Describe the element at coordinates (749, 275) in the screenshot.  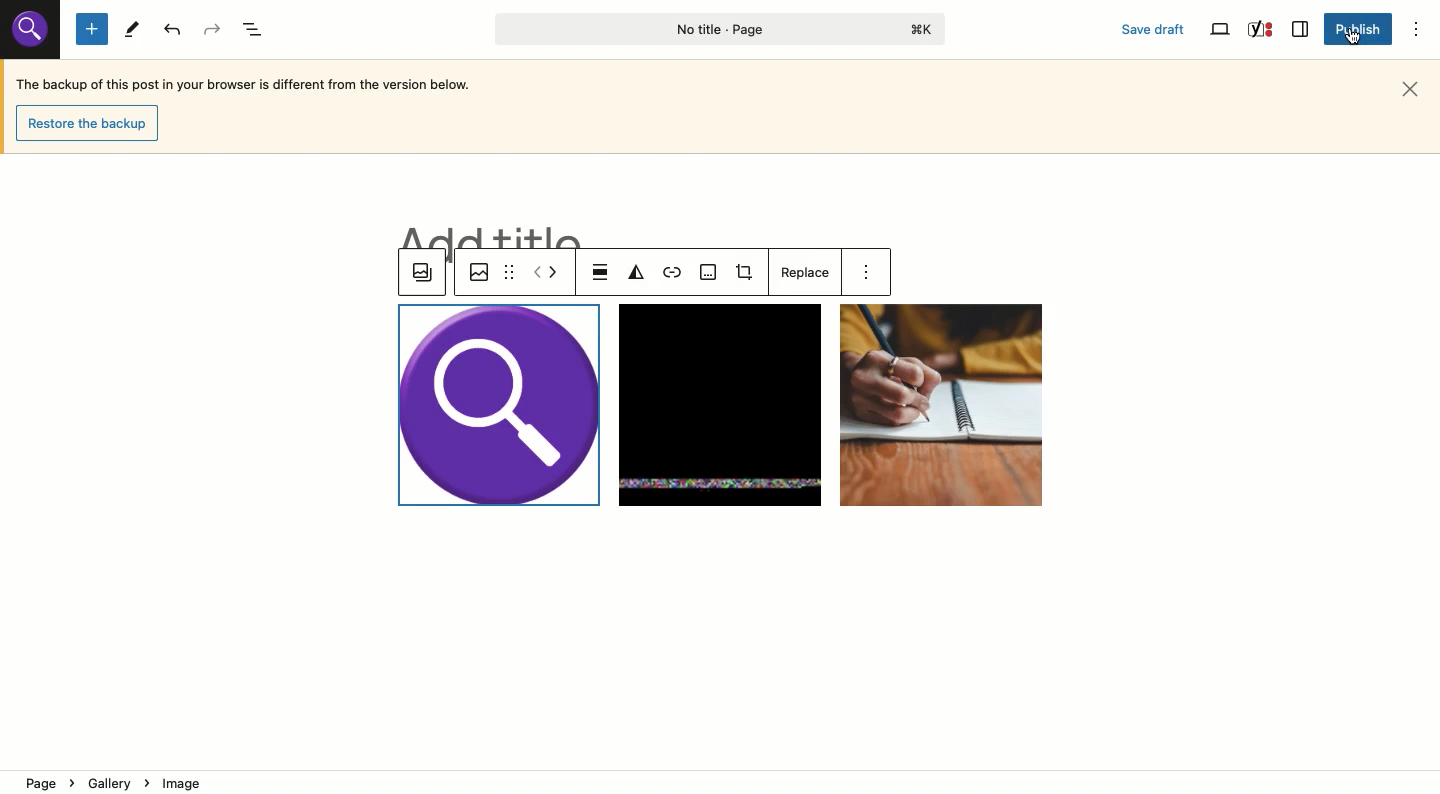
I see `Crop` at that location.